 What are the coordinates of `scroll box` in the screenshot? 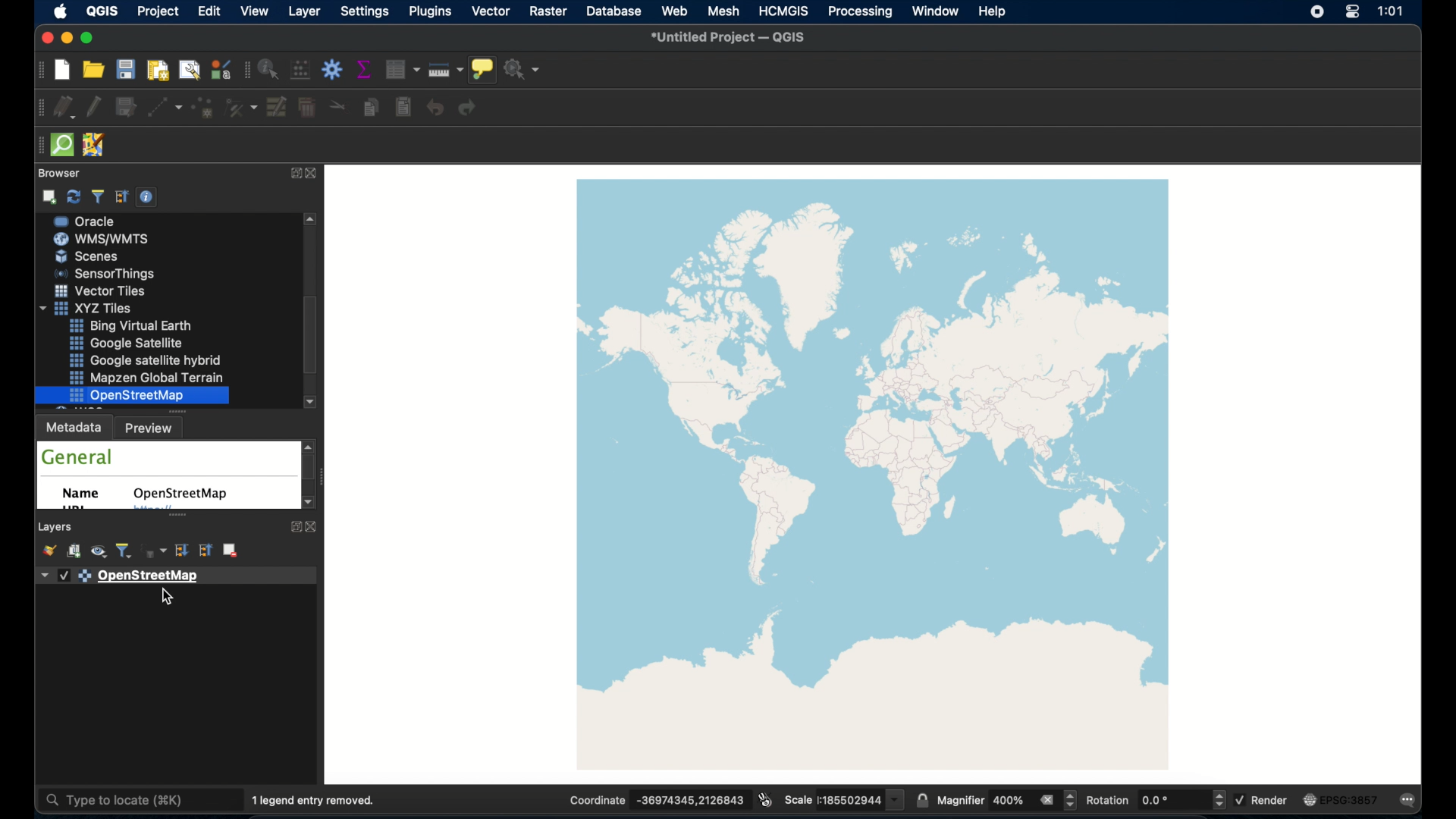 It's located at (311, 469).